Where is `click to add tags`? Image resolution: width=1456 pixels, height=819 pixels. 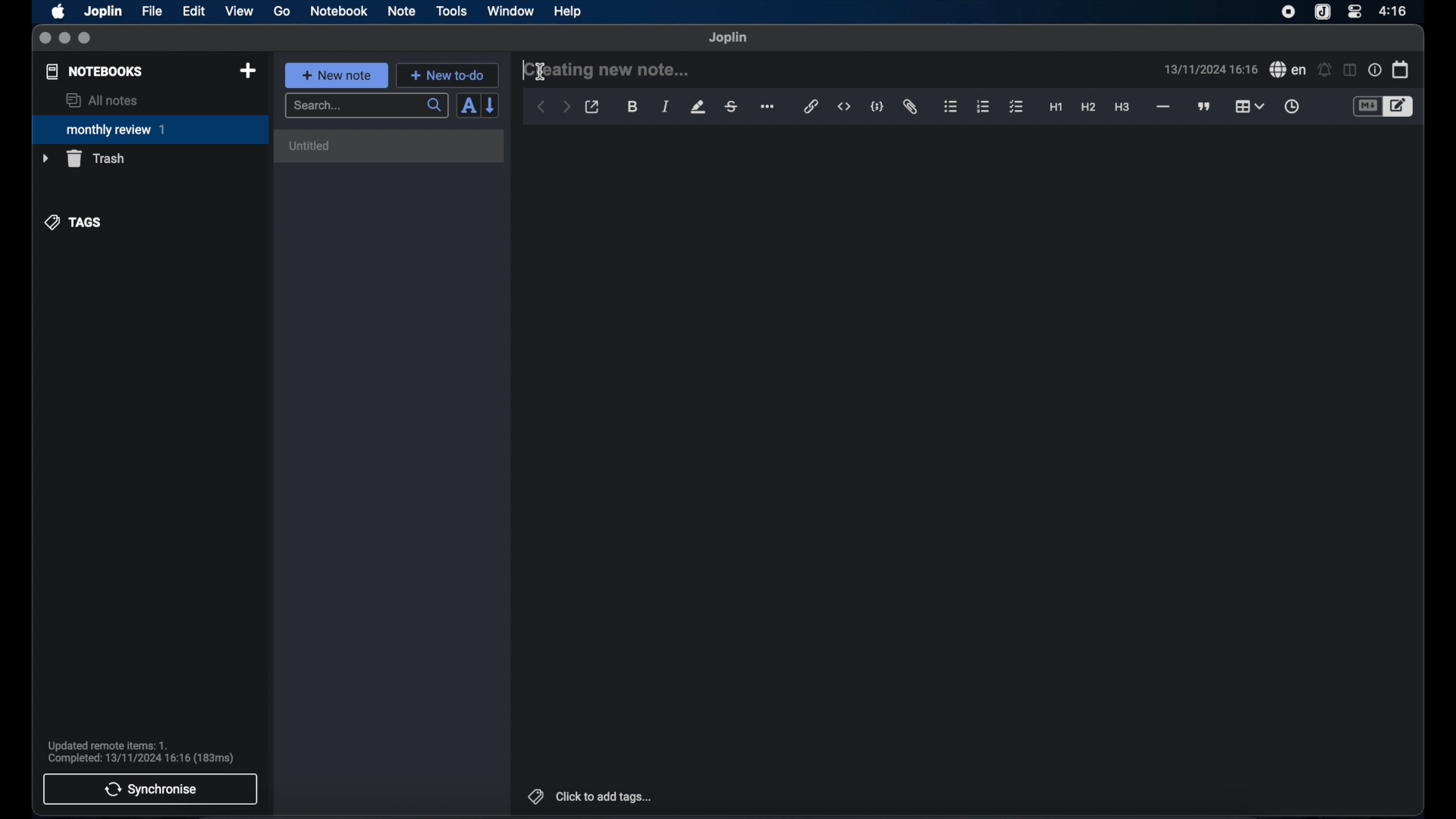 click to add tags is located at coordinates (591, 796).